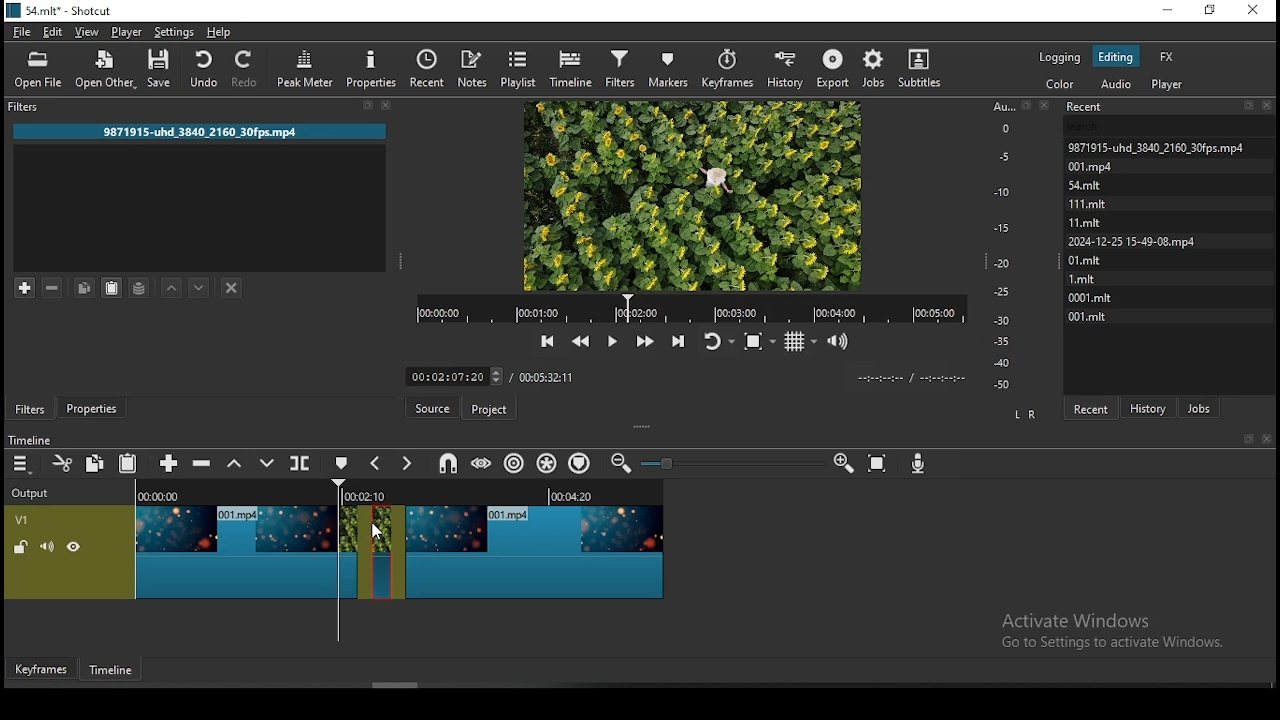  What do you see at coordinates (1244, 439) in the screenshot?
I see `bookmark` at bounding box center [1244, 439].